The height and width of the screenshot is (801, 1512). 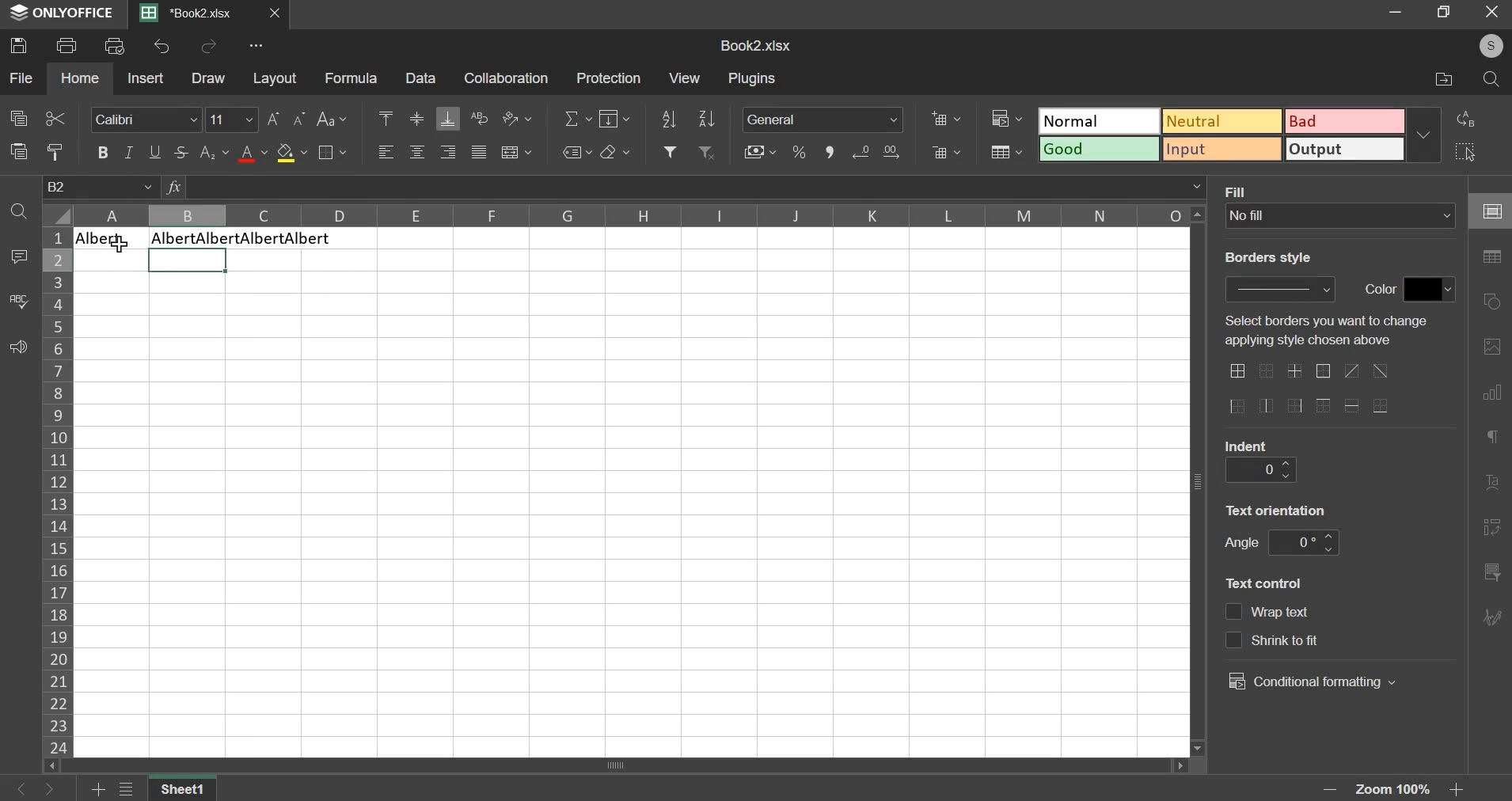 I want to click on merge & center, so click(x=515, y=152).